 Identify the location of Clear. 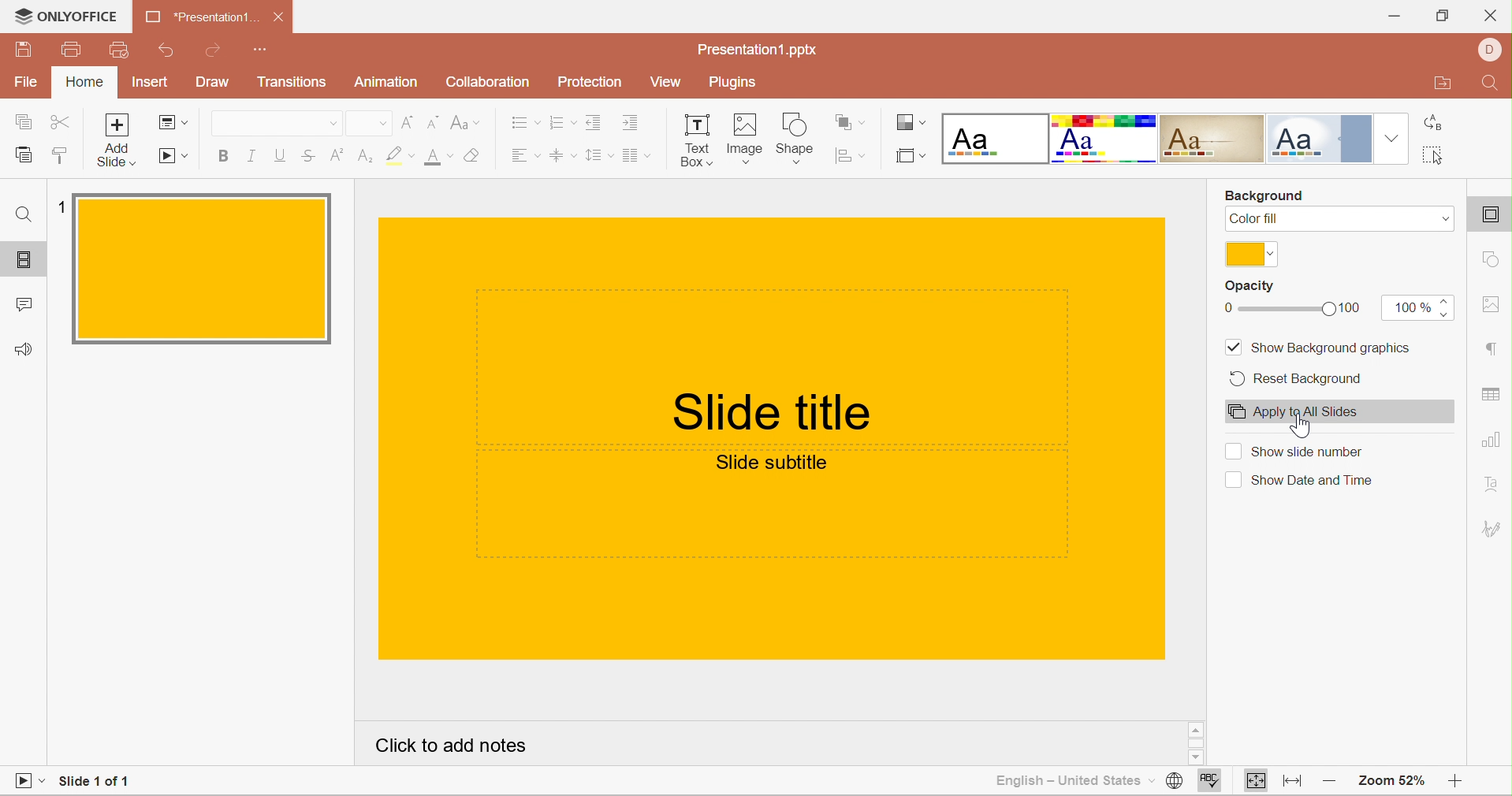
(473, 157).